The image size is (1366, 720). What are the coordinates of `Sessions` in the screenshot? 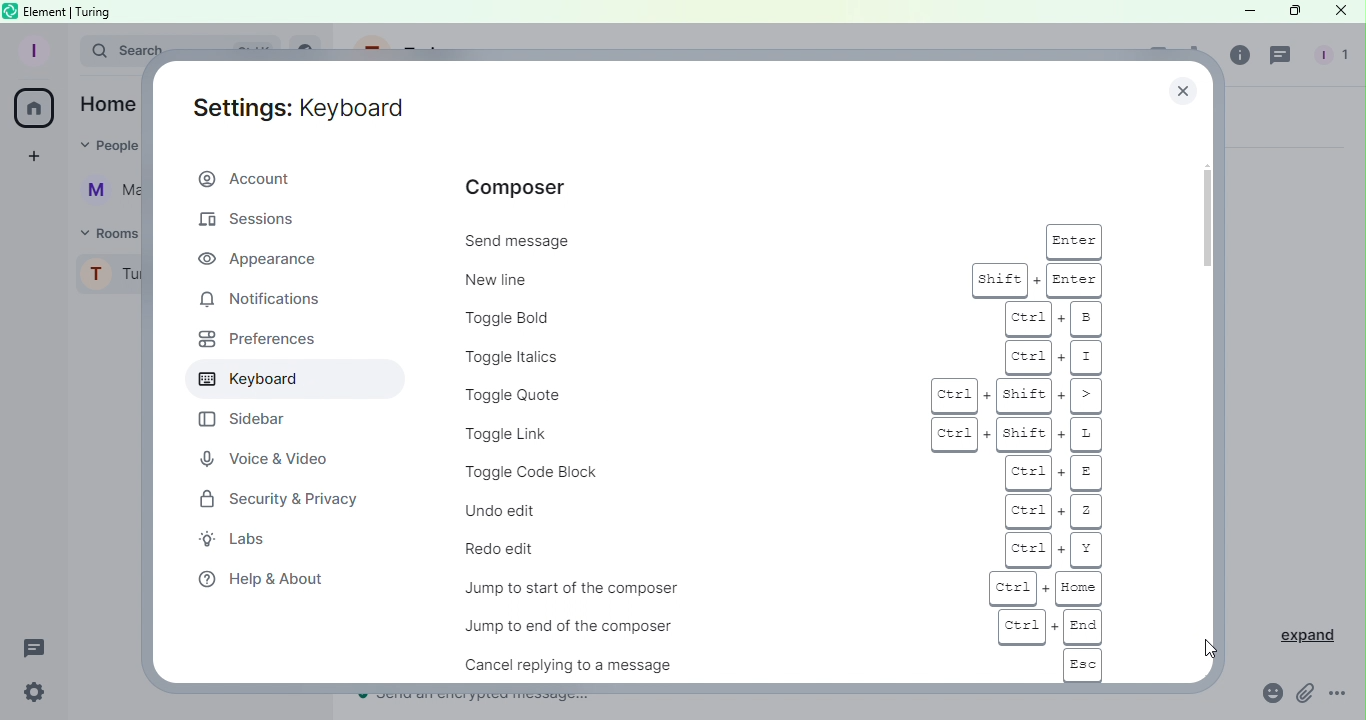 It's located at (258, 223).